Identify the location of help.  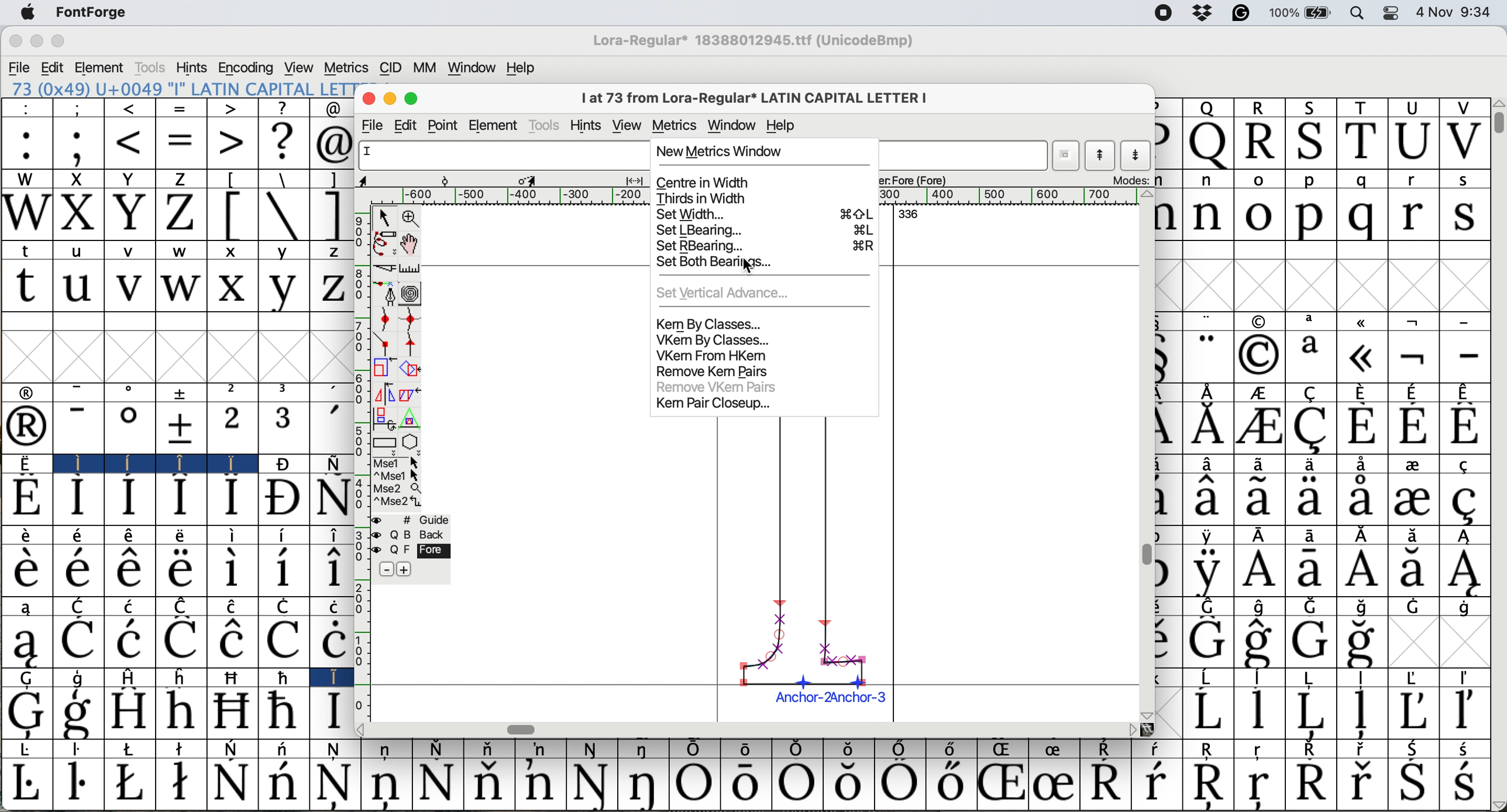
(519, 68).